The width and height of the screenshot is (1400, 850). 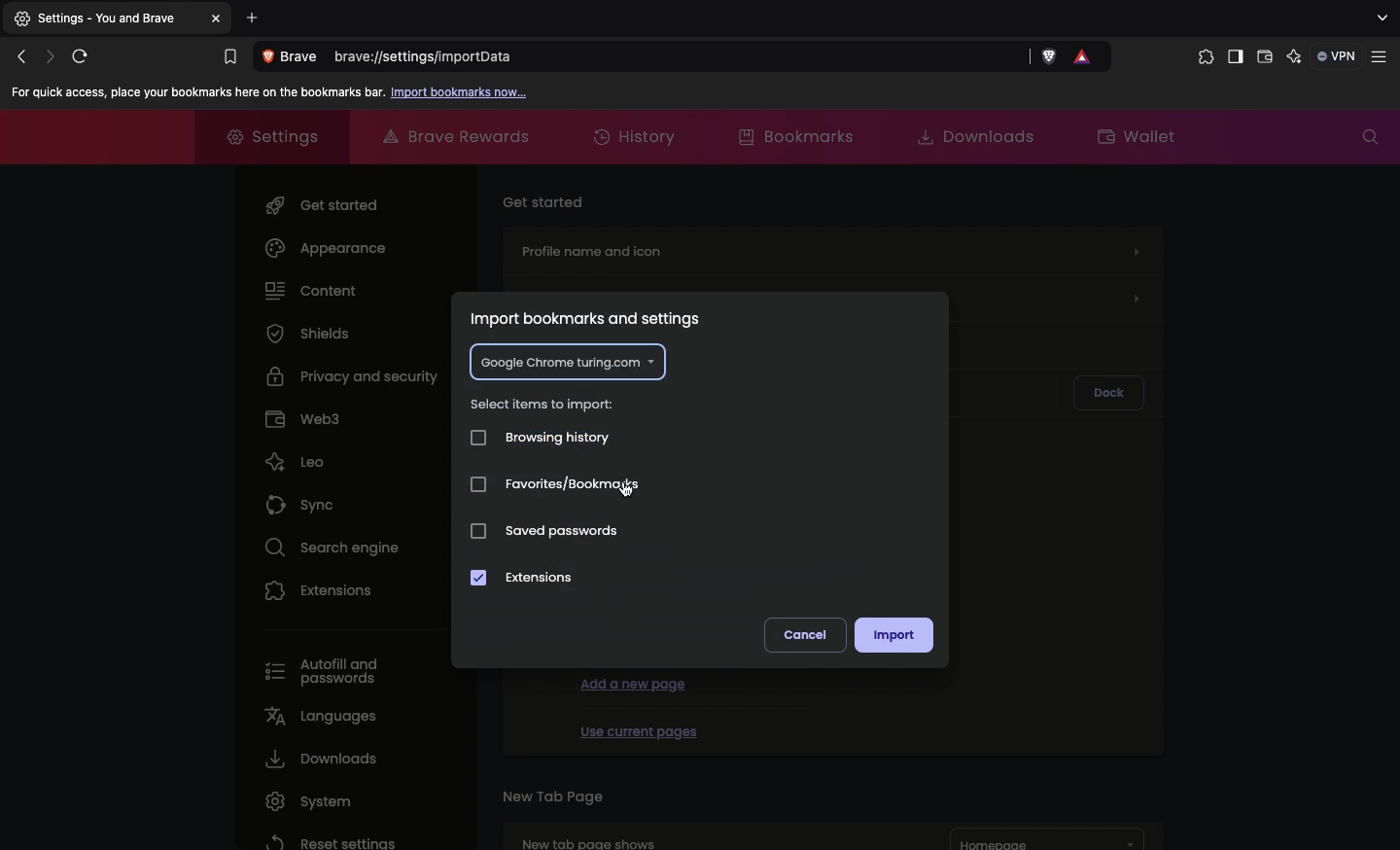 What do you see at coordinates (700, 834) in the screenshot?
I see `New tab page shows` at bounding box center [700, 834].